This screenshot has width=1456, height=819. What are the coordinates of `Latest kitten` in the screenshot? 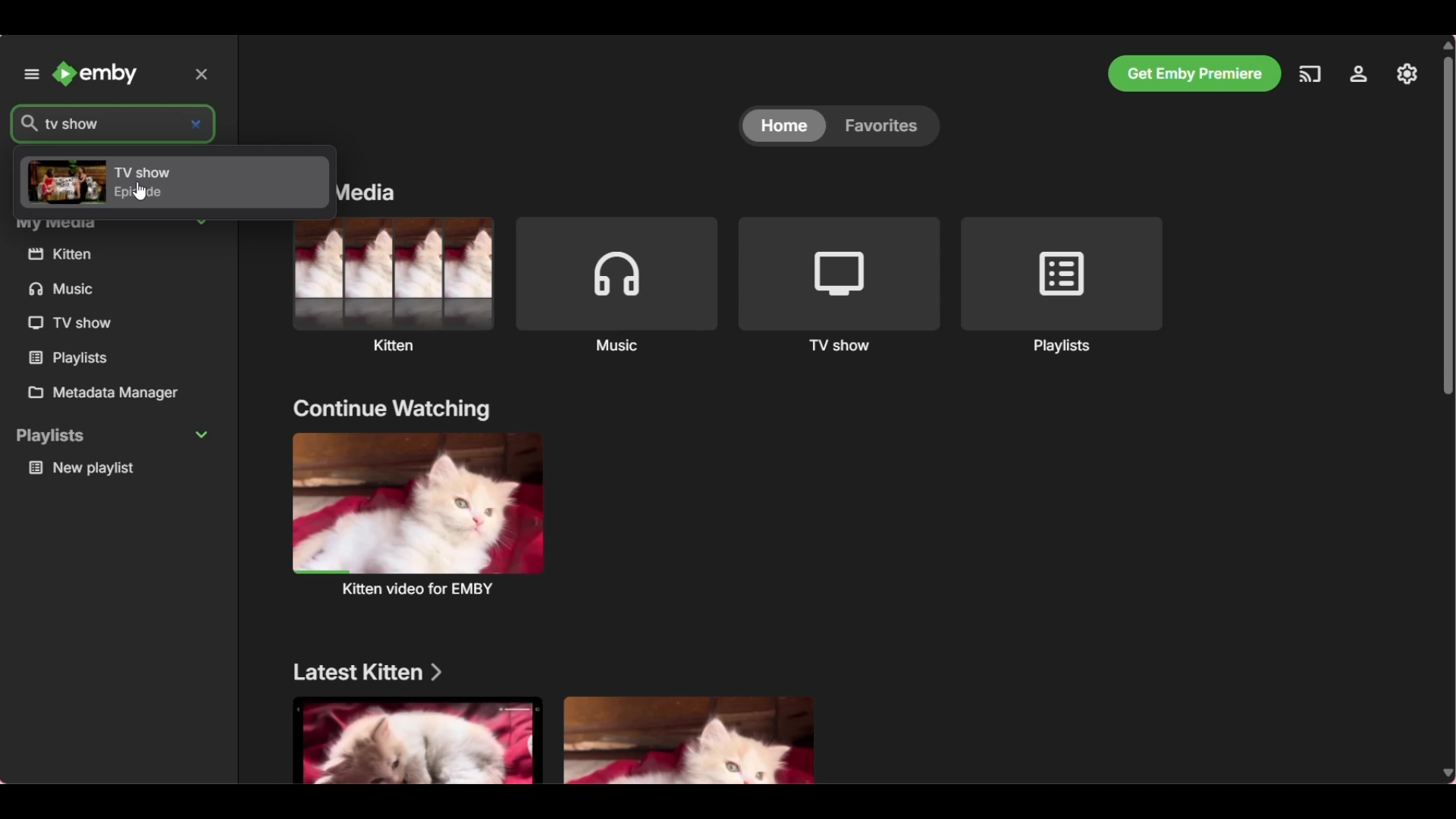 It's located at (366, 672).